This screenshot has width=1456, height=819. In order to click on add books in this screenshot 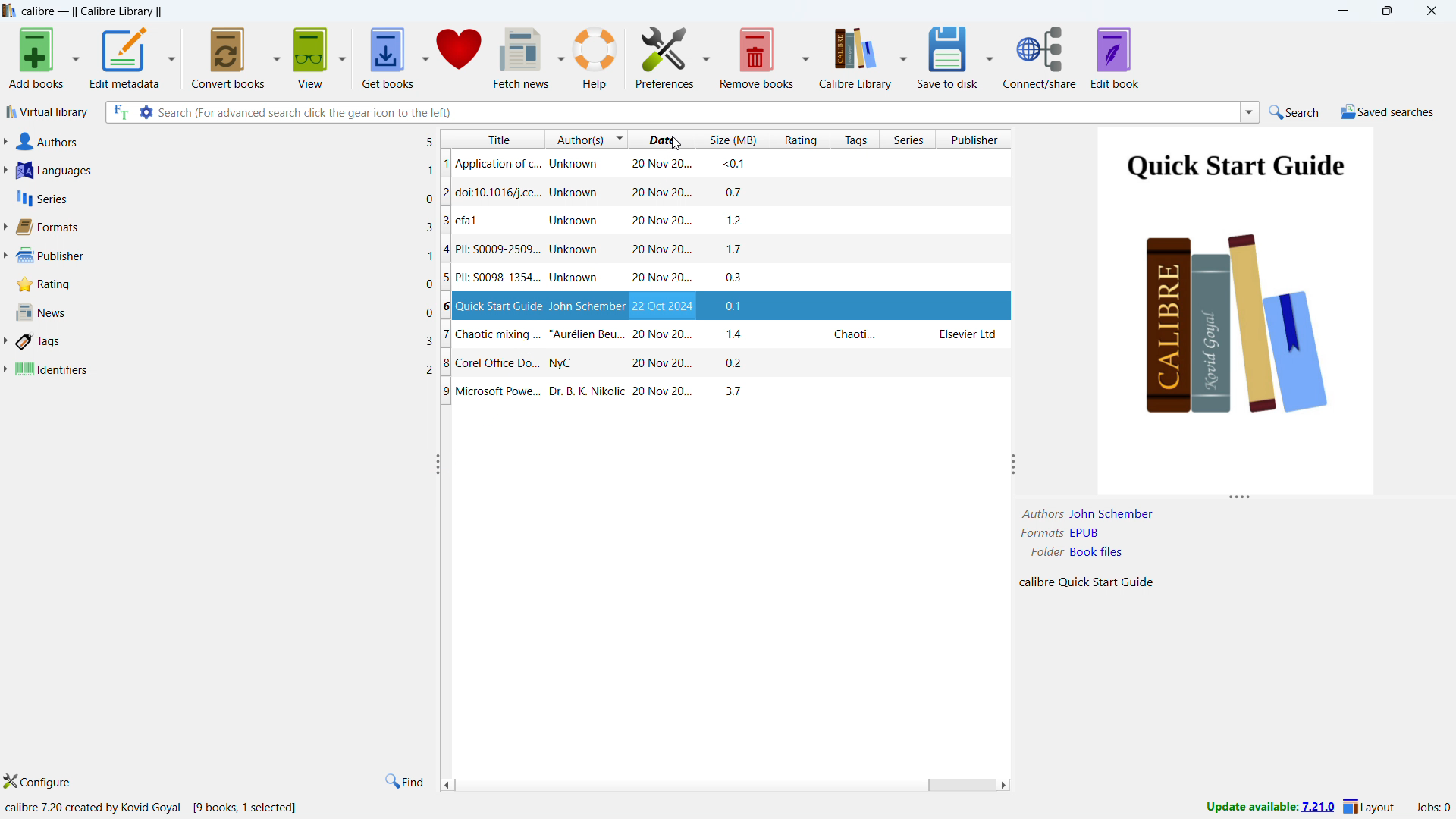, I will do `click(36, 58)`.